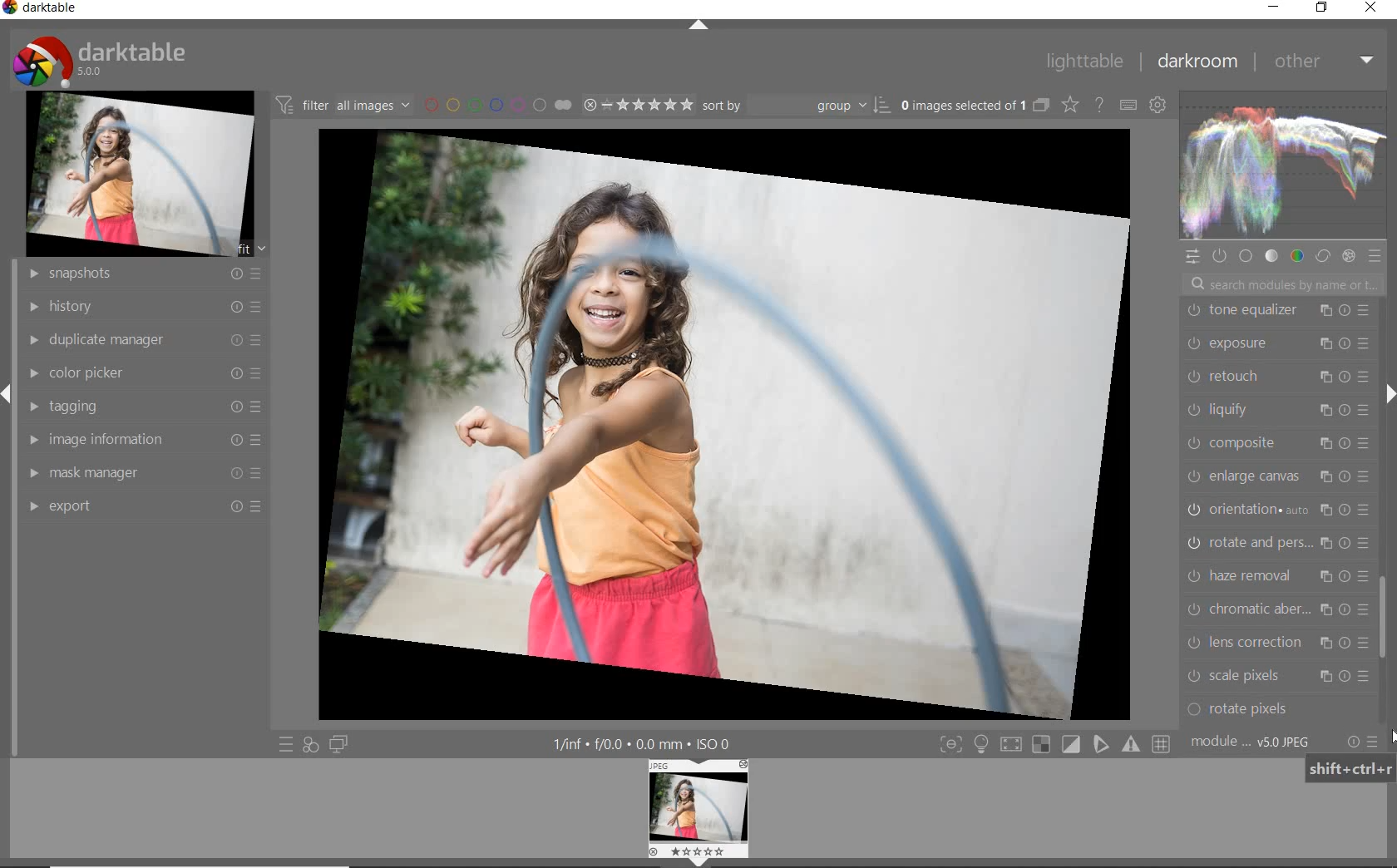 This screenshot has height=868, width=1397. What do you see at coordinates (1278, 343) in the screenshot?
I see `exposure` at bounding box center [1278, 343].